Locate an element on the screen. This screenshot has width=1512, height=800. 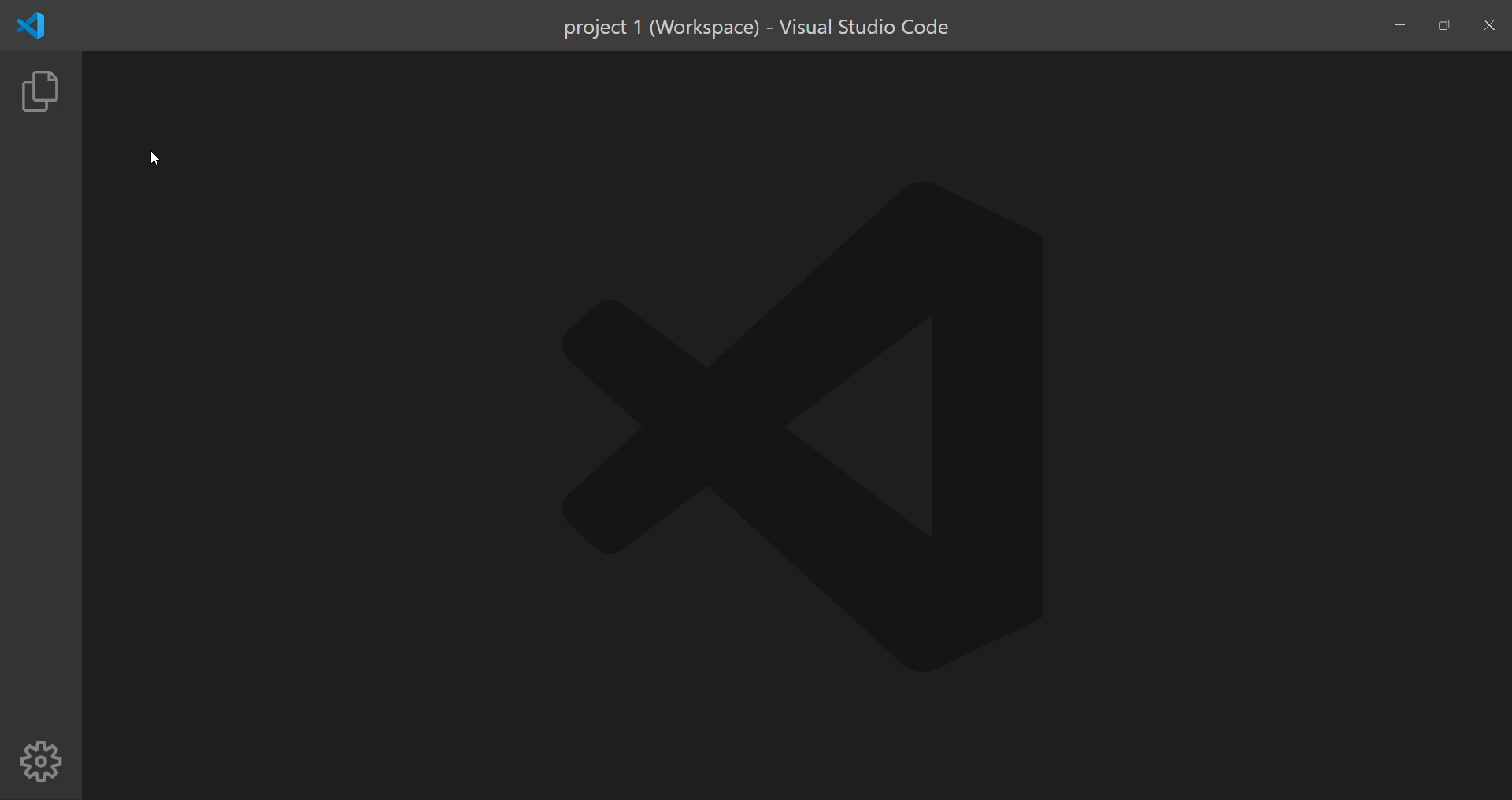
cursor is located at coordinates (153, 160).